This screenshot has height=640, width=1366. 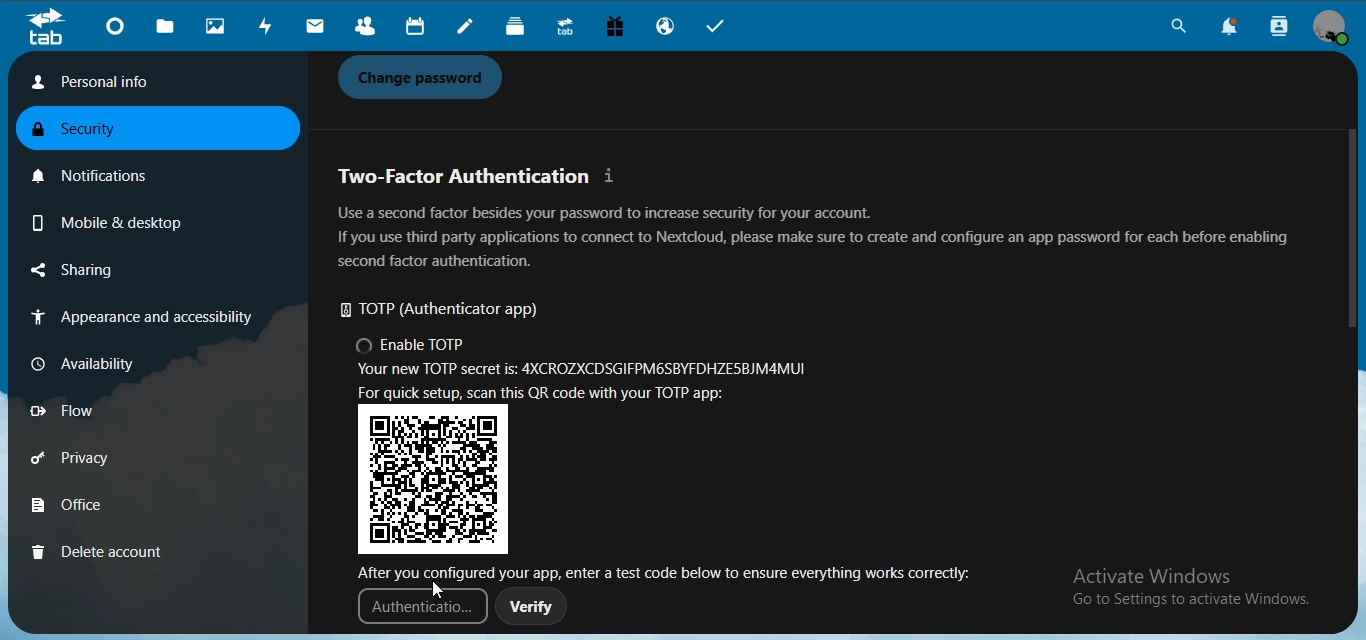 What do you see at coordinates (426, 78) in the screenshot?
I see `change password` at bounding box center [426, 78].